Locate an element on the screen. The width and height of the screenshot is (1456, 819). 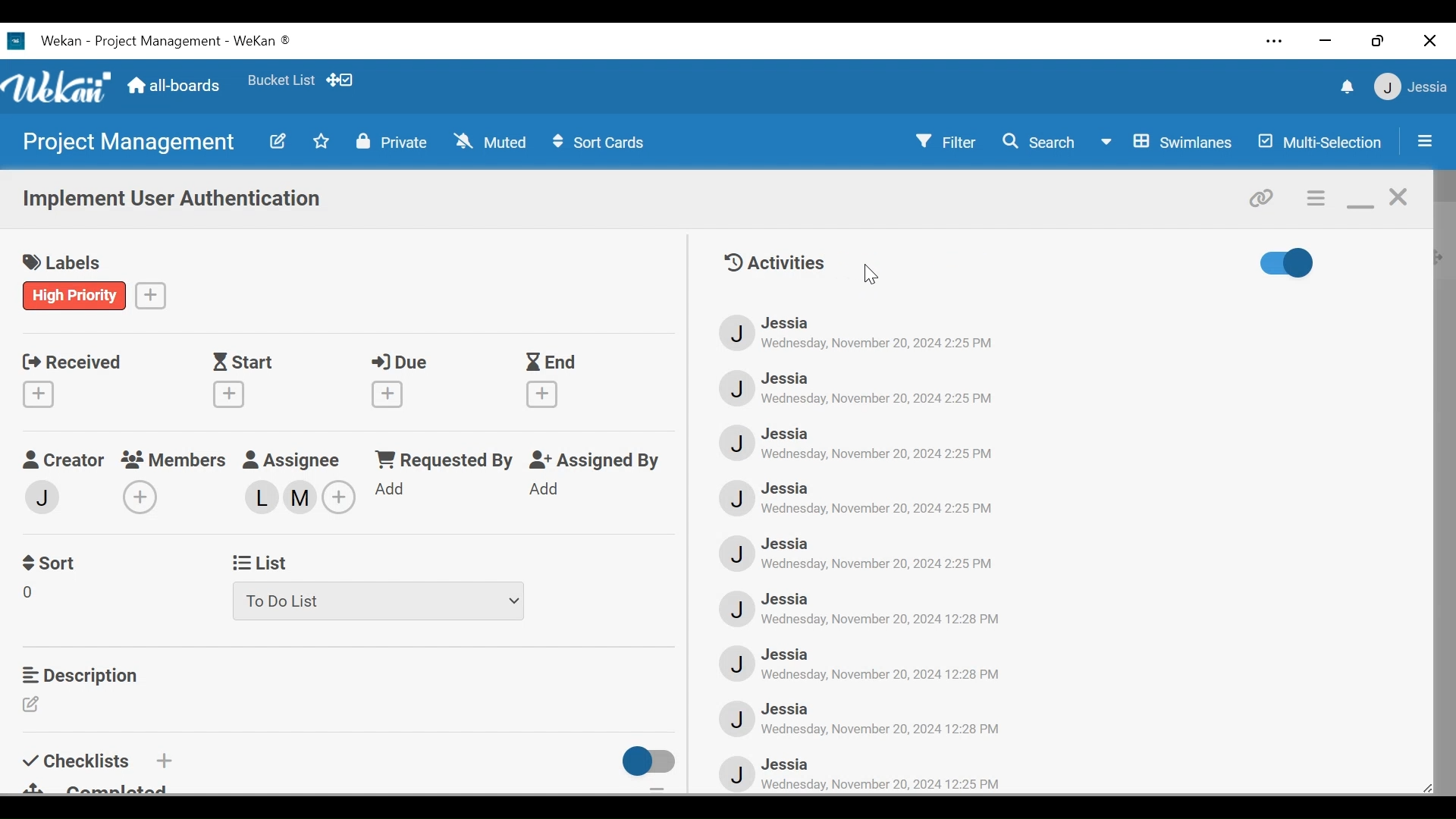
Add is located at coordinates (142, 497).